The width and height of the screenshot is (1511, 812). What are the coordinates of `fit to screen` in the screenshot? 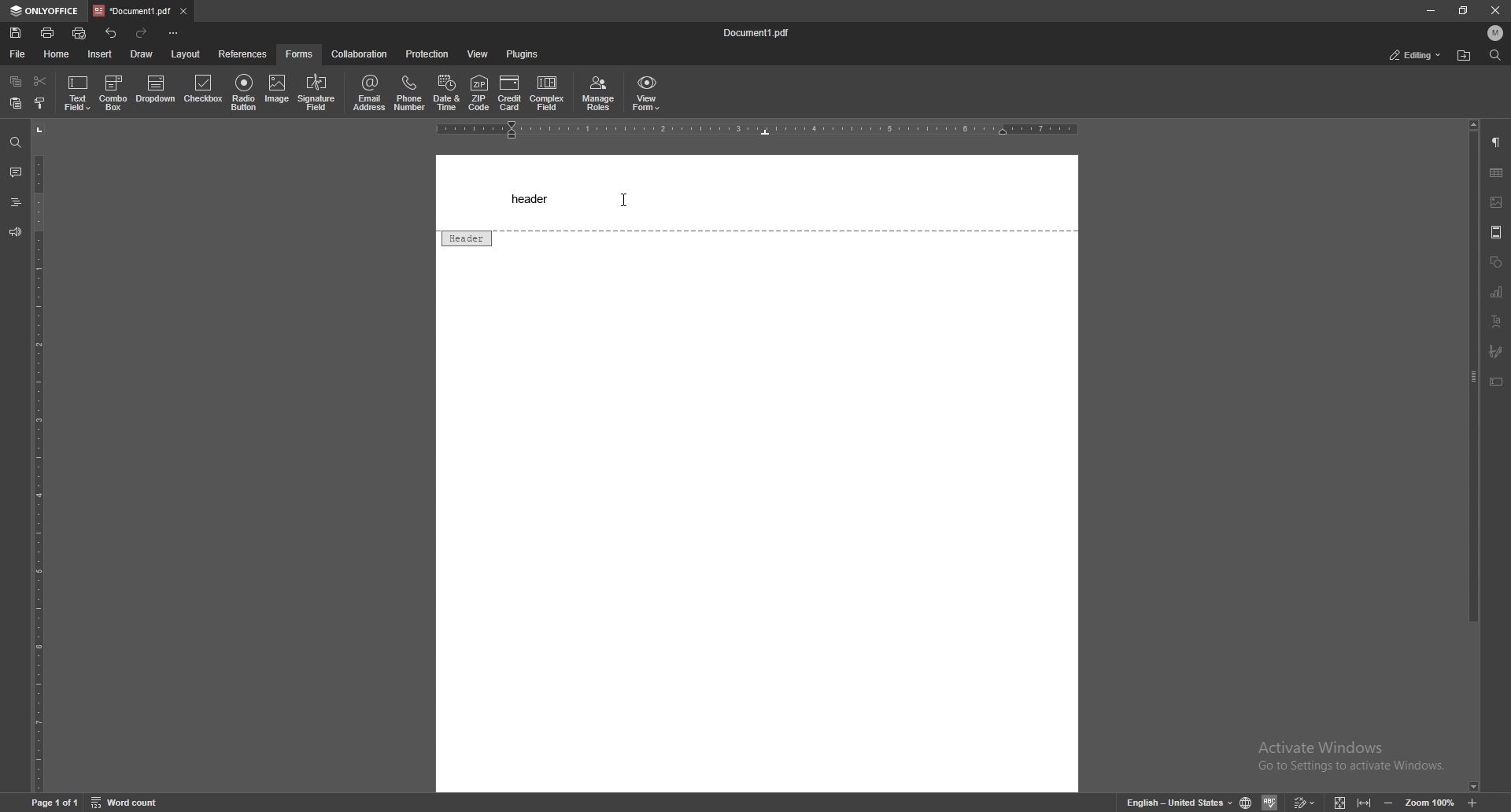 It's located at (1341, 803).